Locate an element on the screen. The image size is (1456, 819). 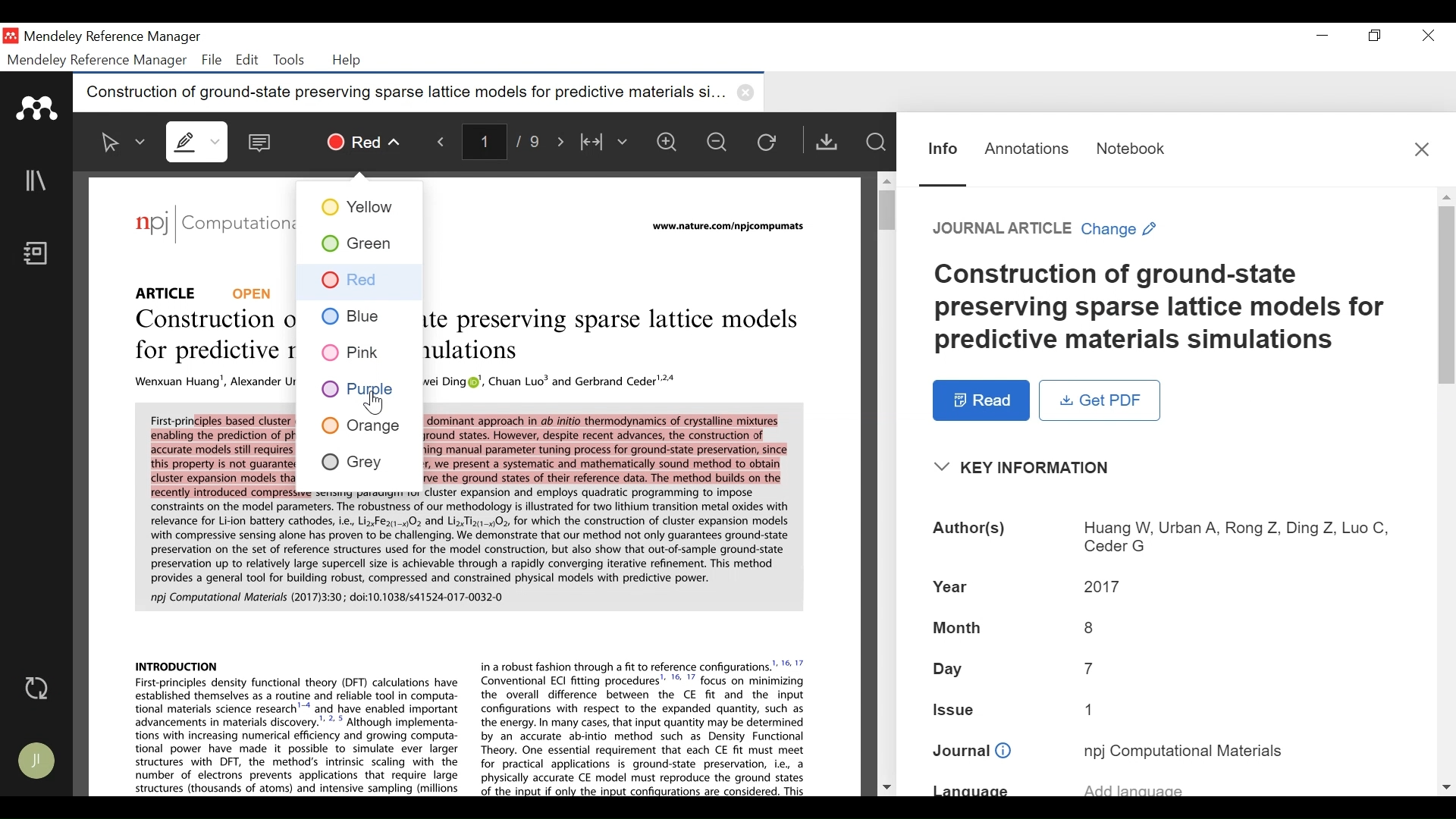
www.nature.com/npkcompumats is located at coordinates (732, 228).